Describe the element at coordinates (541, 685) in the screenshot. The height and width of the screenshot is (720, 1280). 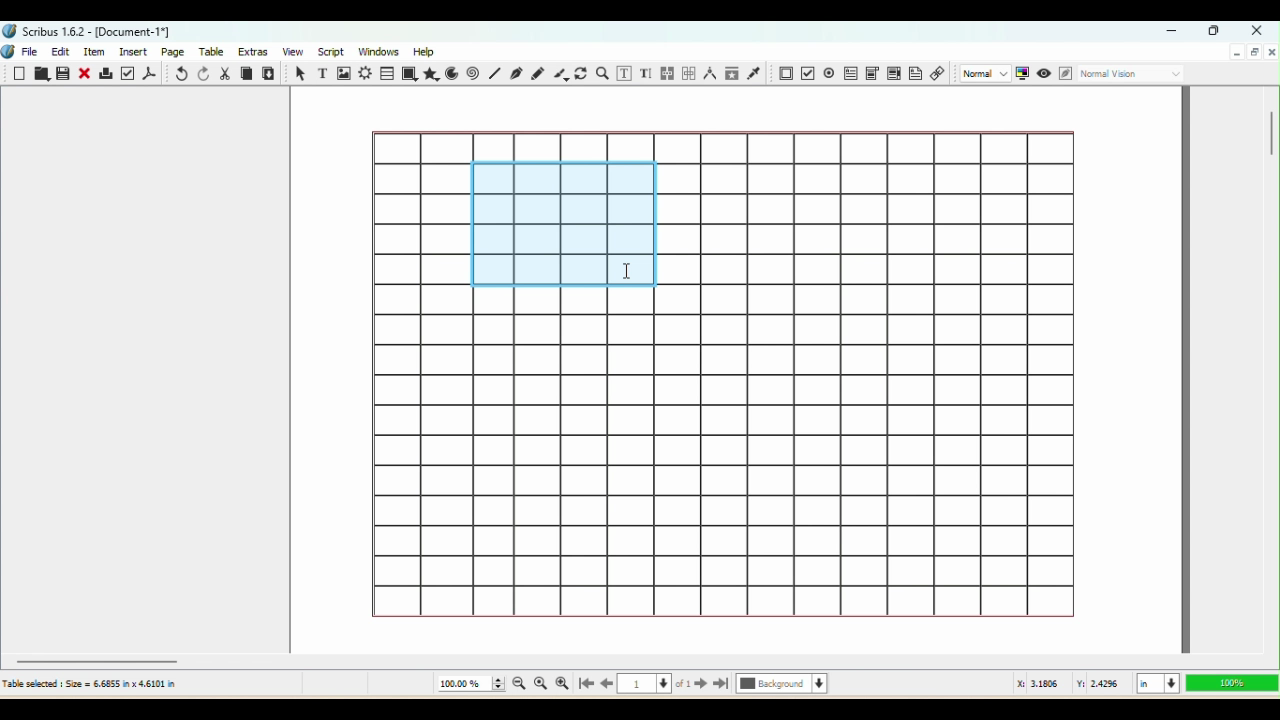
I see `Zoom to 100%` at that location.